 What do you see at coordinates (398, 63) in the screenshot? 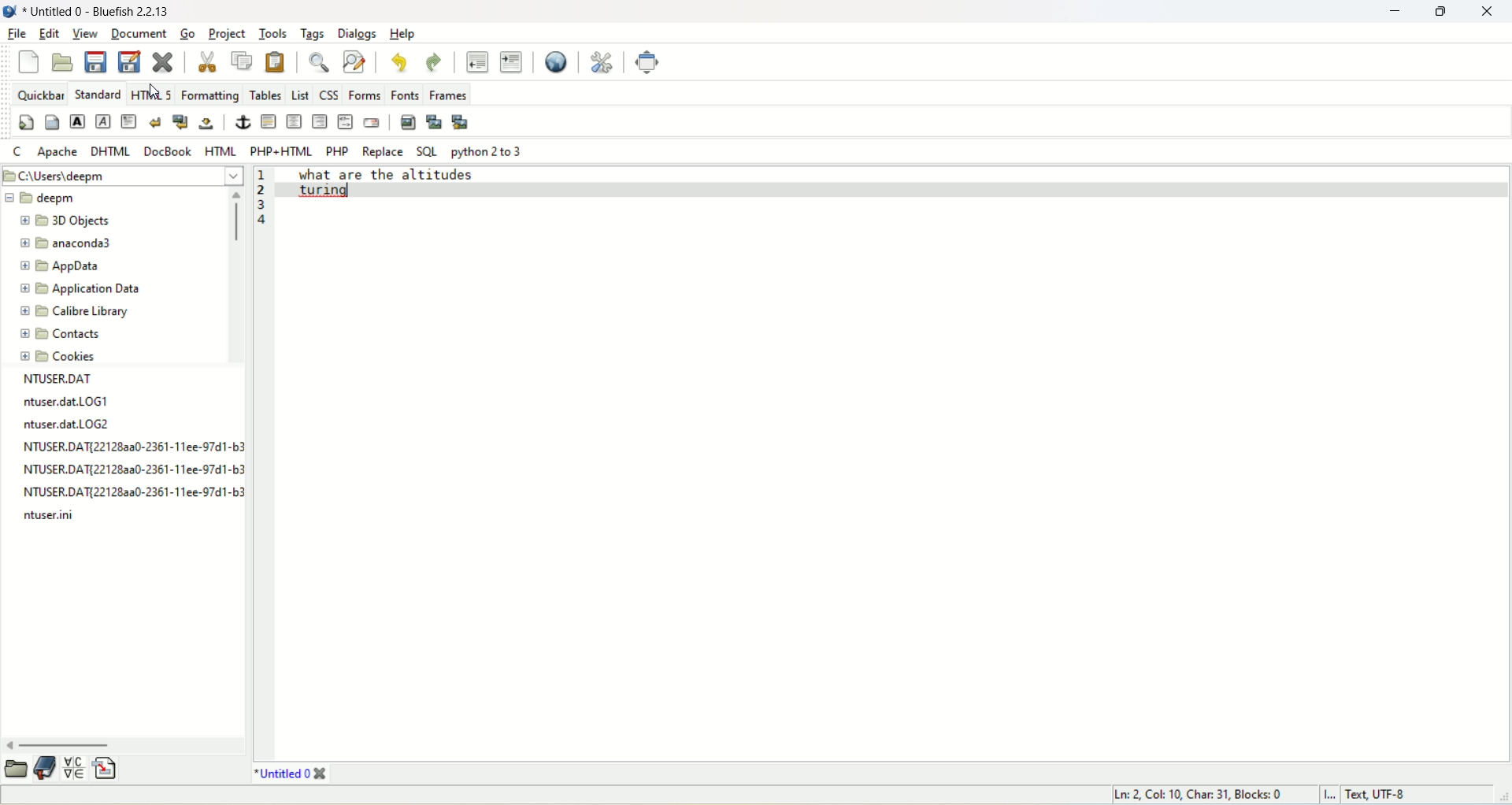
I see `undo` at bounding box center [398, 63].